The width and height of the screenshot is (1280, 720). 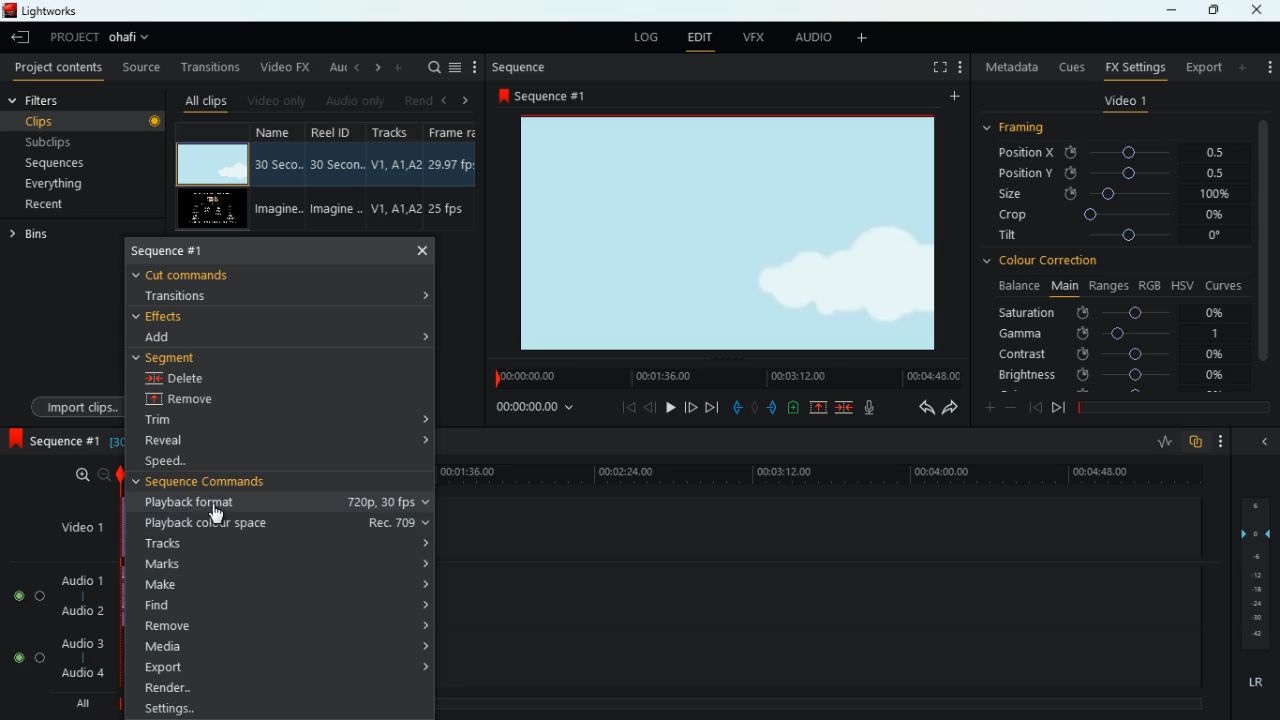 I want to click on audio only, so click(x=355, y=100).